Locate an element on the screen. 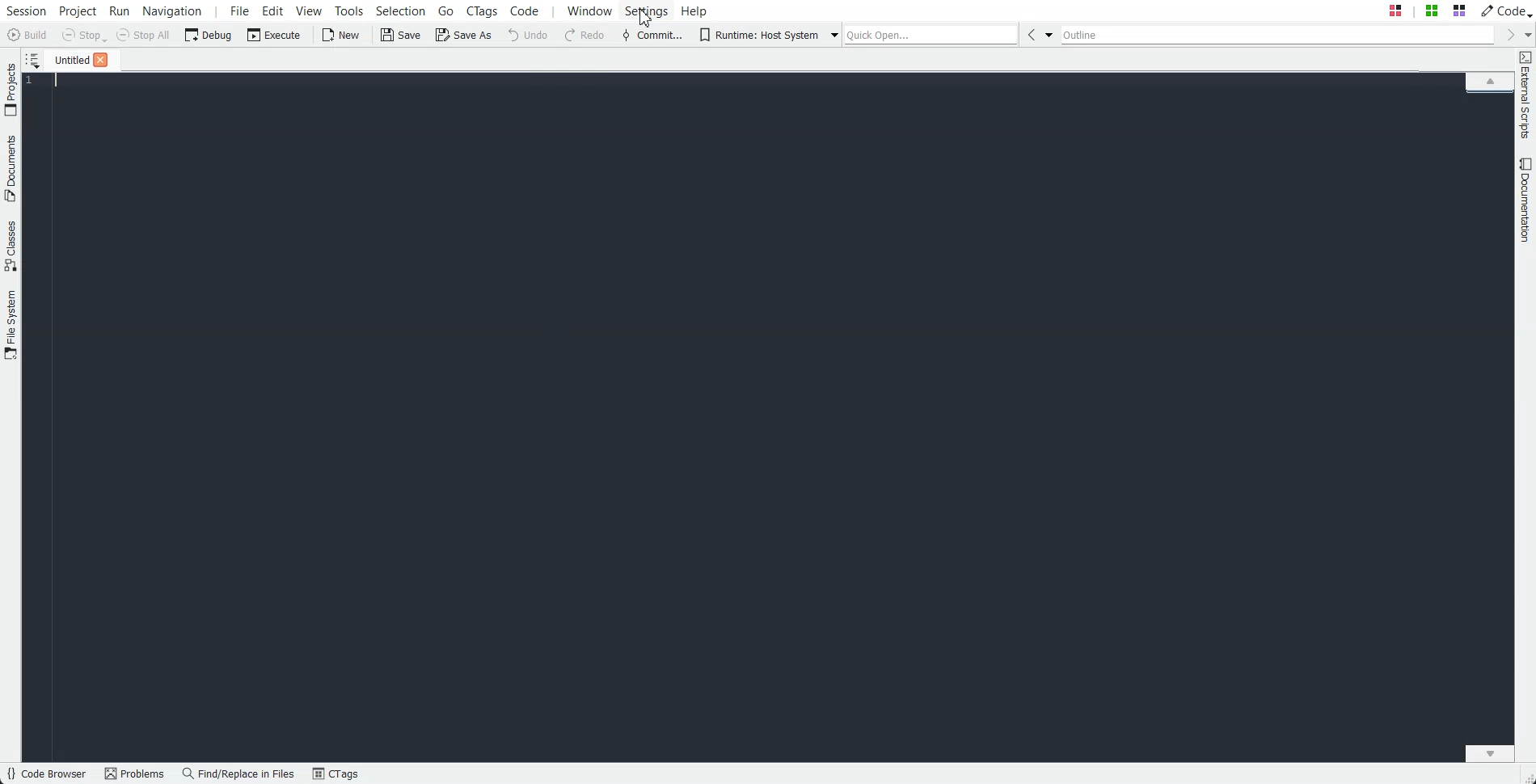  CTags is located at coordinates (335, 774).